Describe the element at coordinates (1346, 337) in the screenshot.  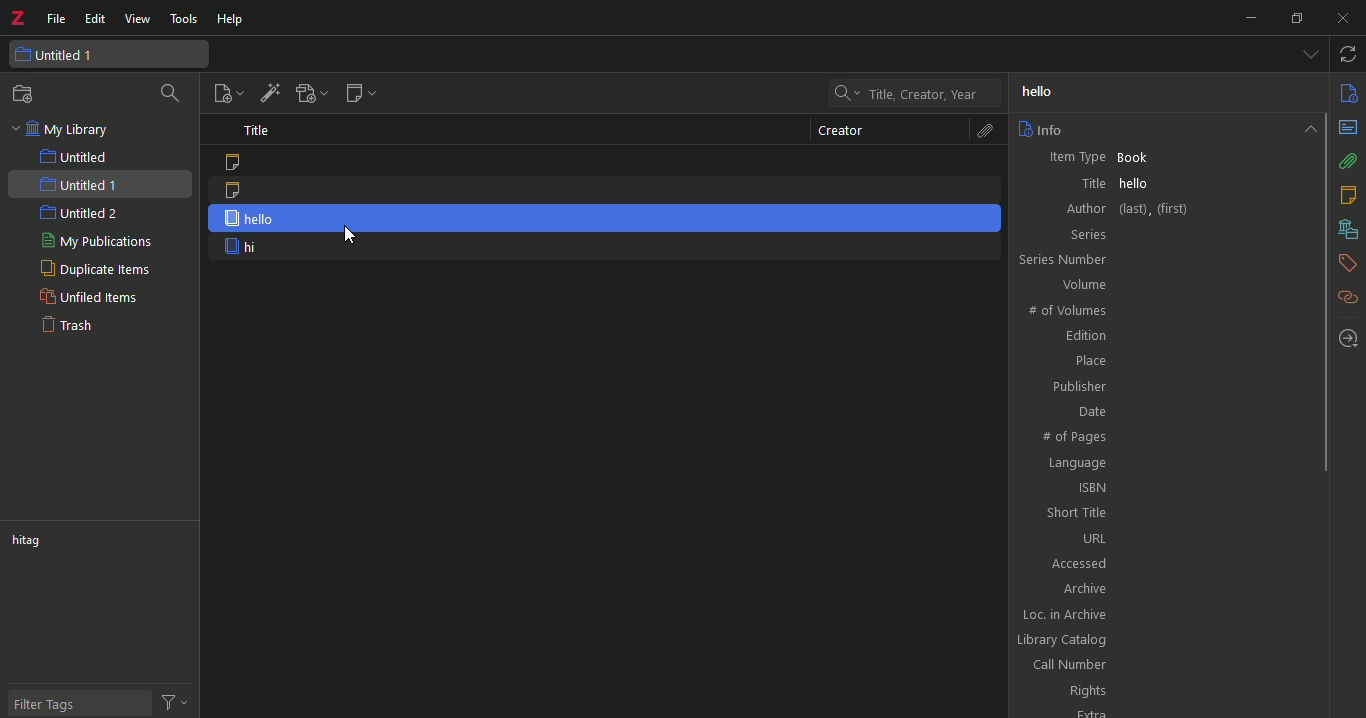
I see `locate` at that location.